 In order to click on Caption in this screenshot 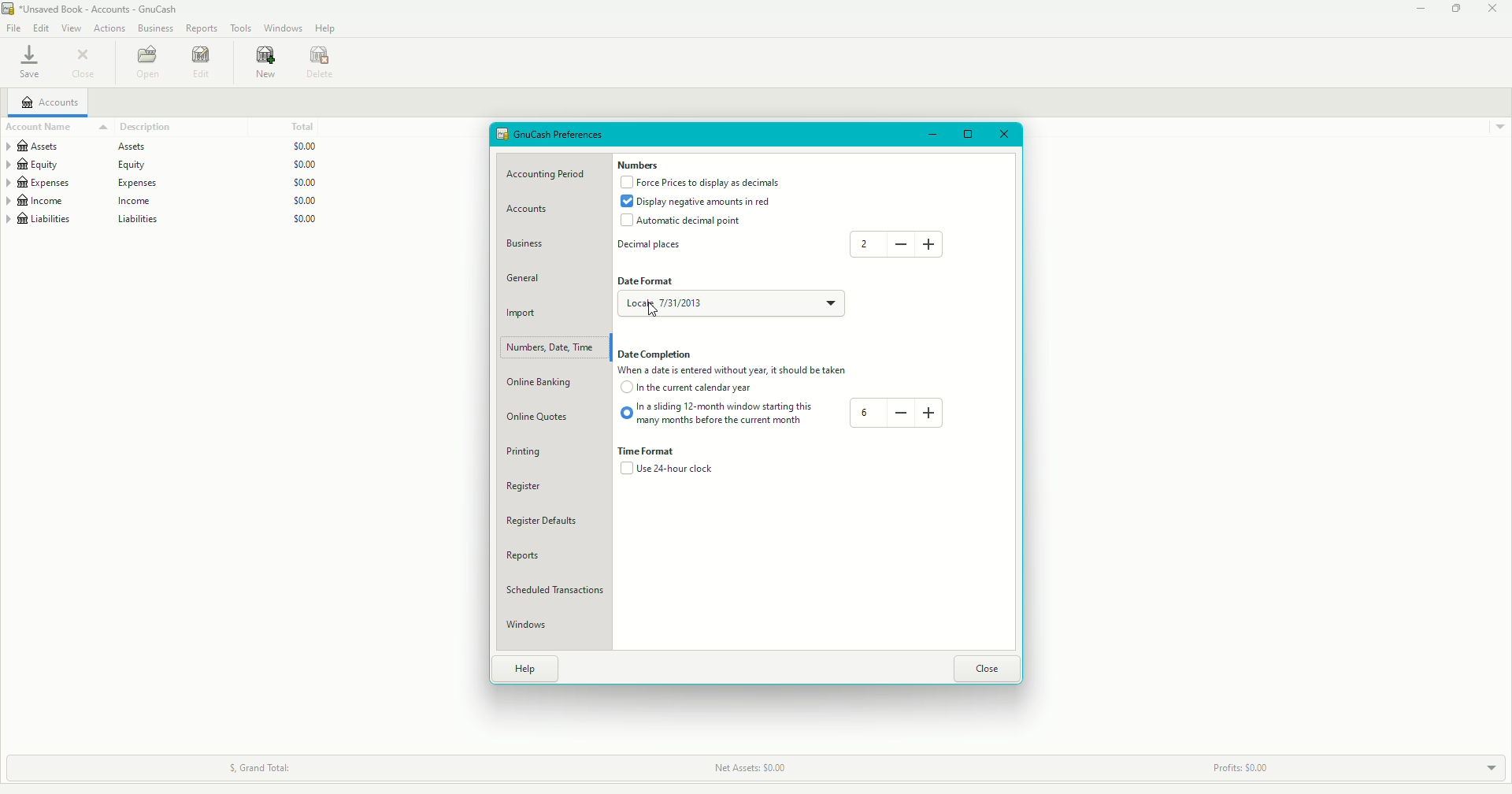, I will do `click(743, 371)`.